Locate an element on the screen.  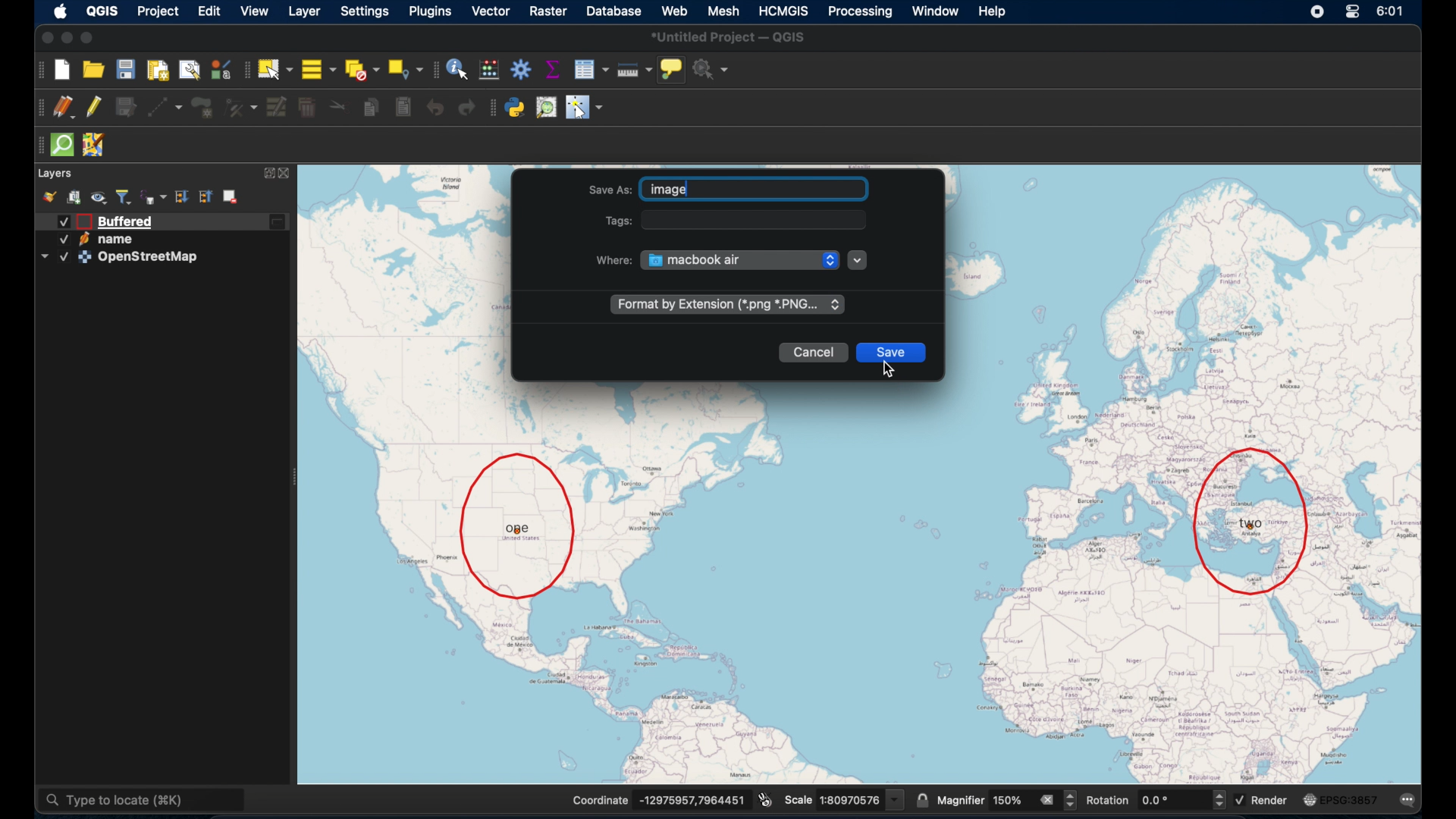
save project is located at coordinates (125, 70).